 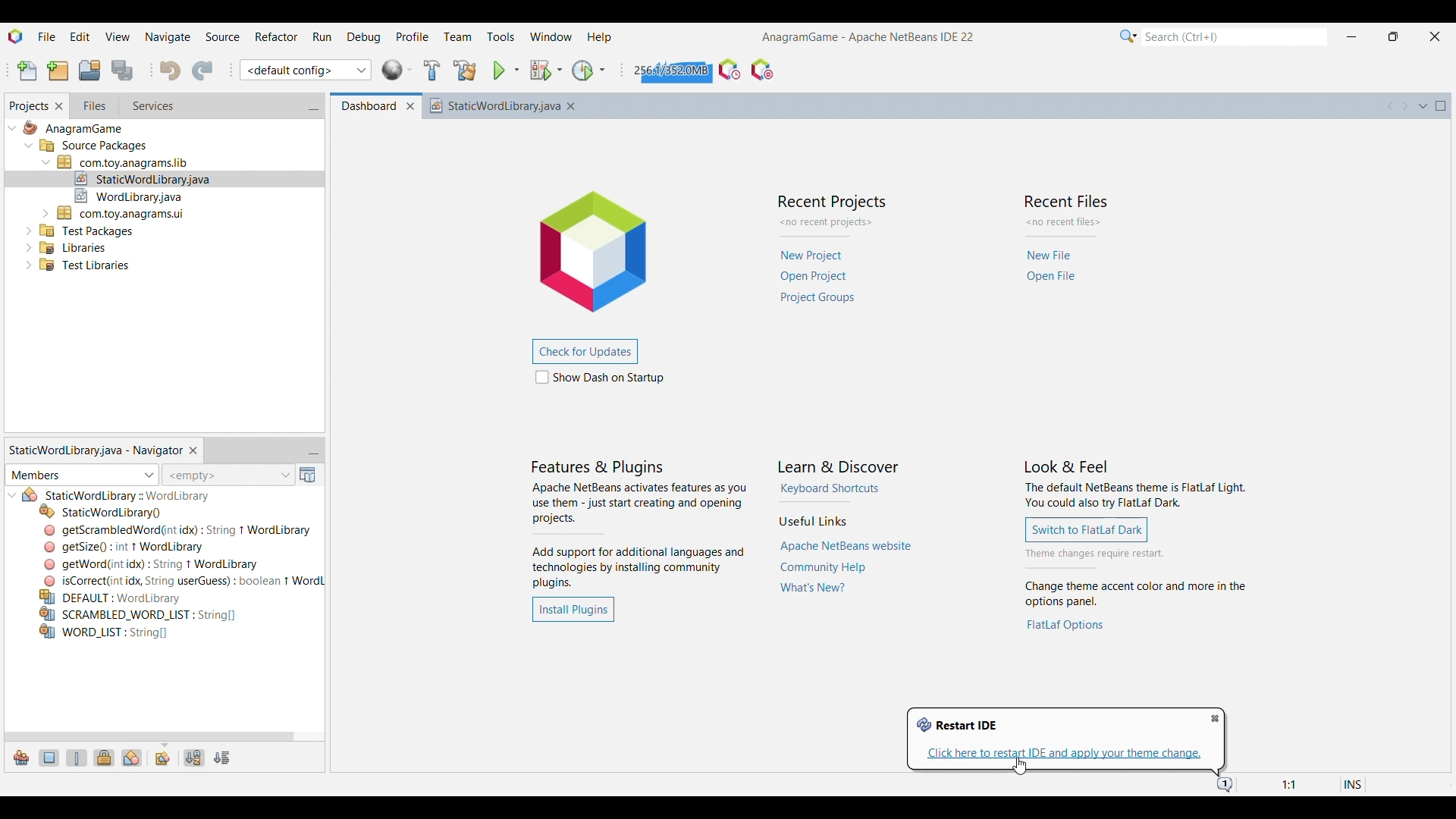 I want to click on Minimize window group, so click(x=313, y=451).